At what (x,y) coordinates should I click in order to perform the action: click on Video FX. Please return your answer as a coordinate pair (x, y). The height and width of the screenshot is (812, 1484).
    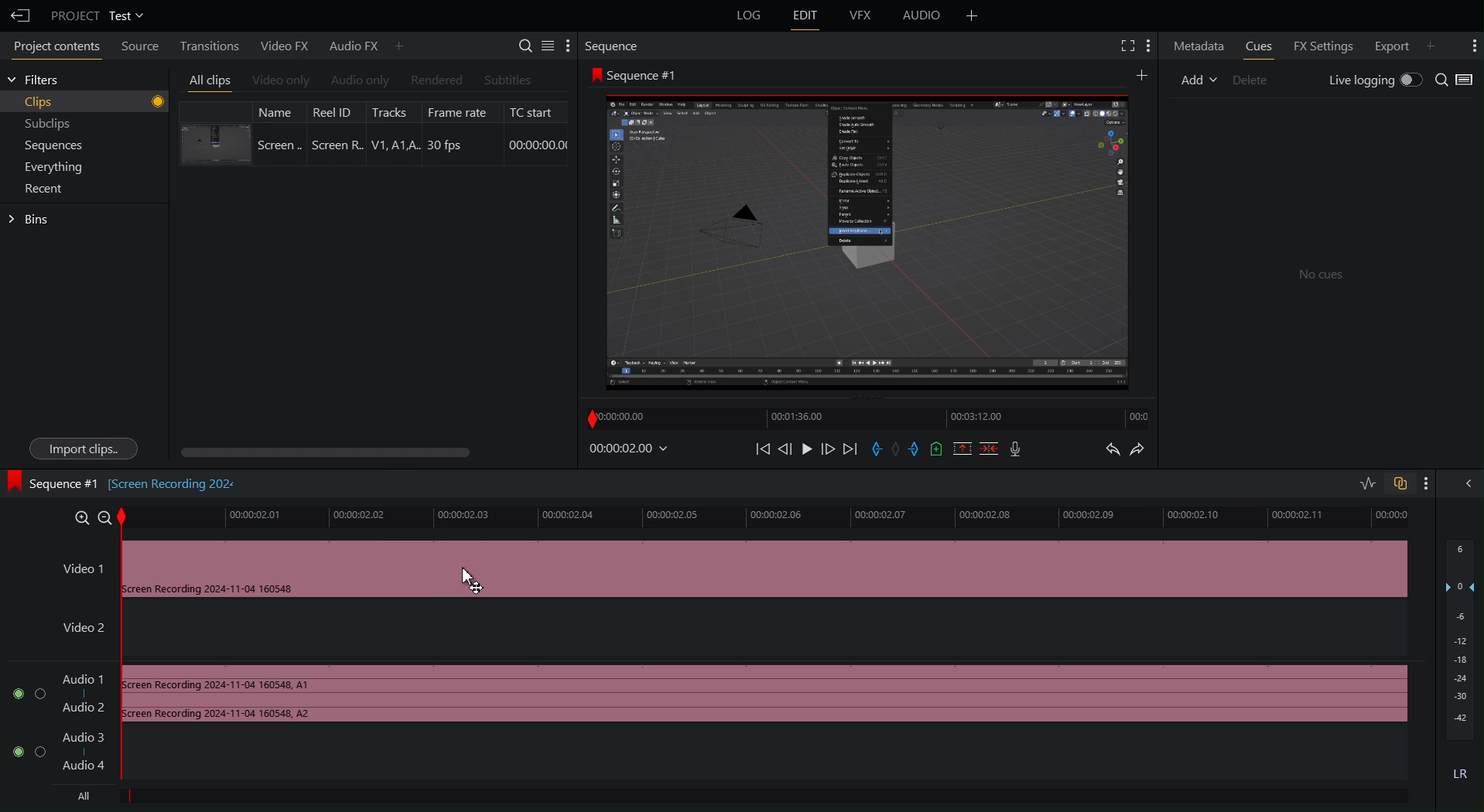
    Looking at the image, I should click on (284, 45).